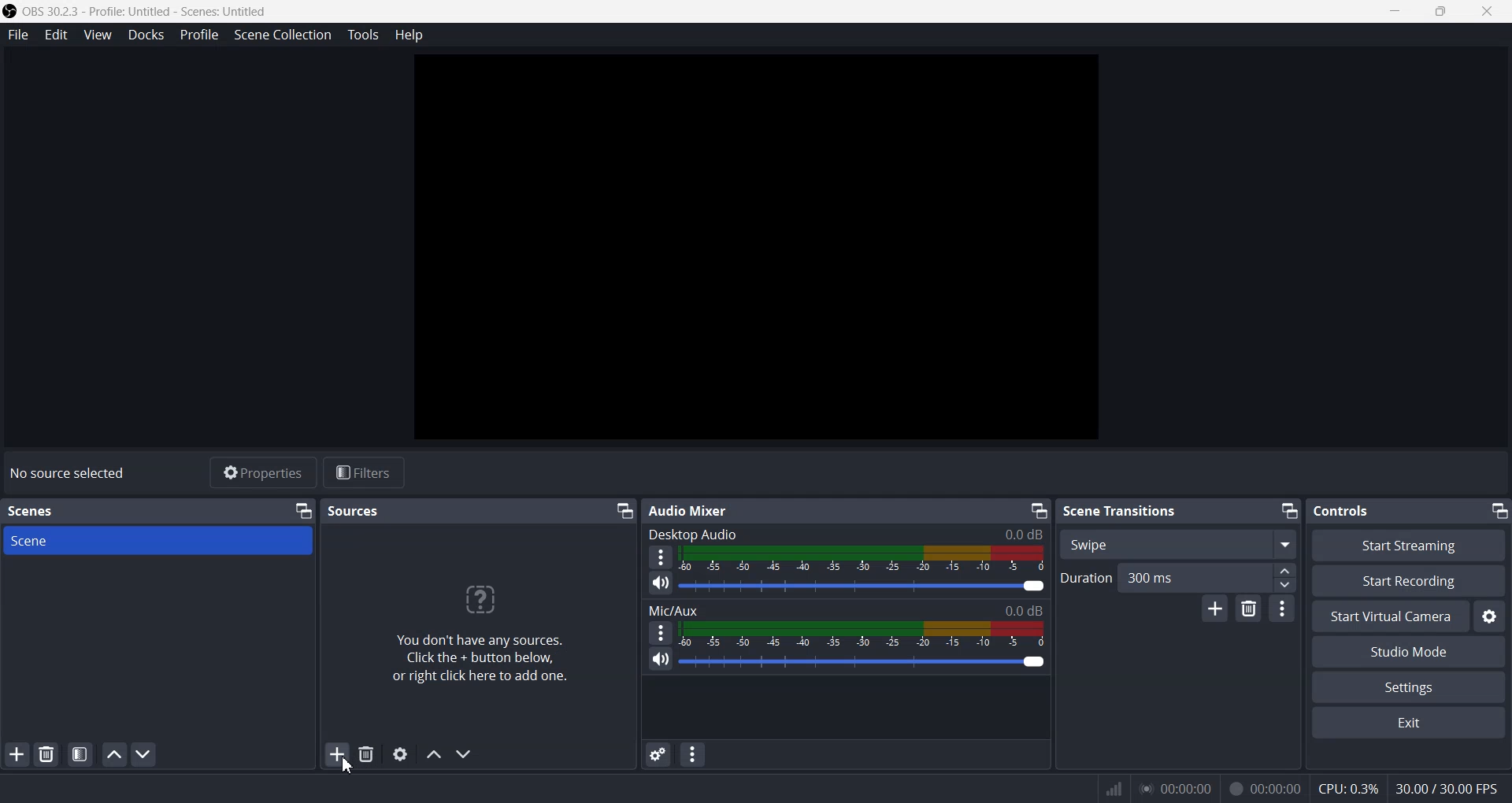  What do you see at coordinates (660, 632) in the screenshot?
I see `More` at bounding box center [660, 632].